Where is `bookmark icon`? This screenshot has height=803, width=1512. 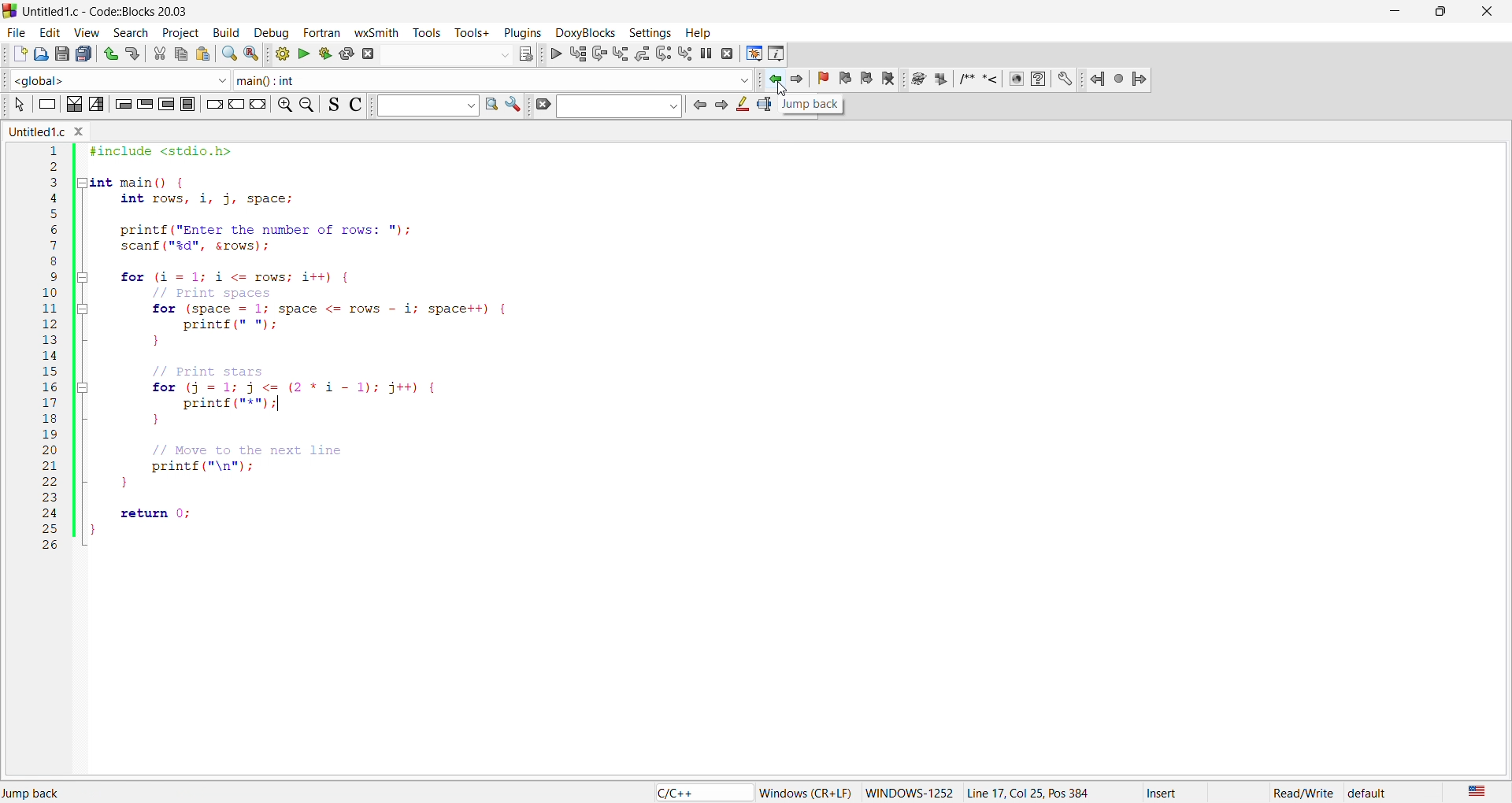
bookmark icon is located at coordinates (853, 79).